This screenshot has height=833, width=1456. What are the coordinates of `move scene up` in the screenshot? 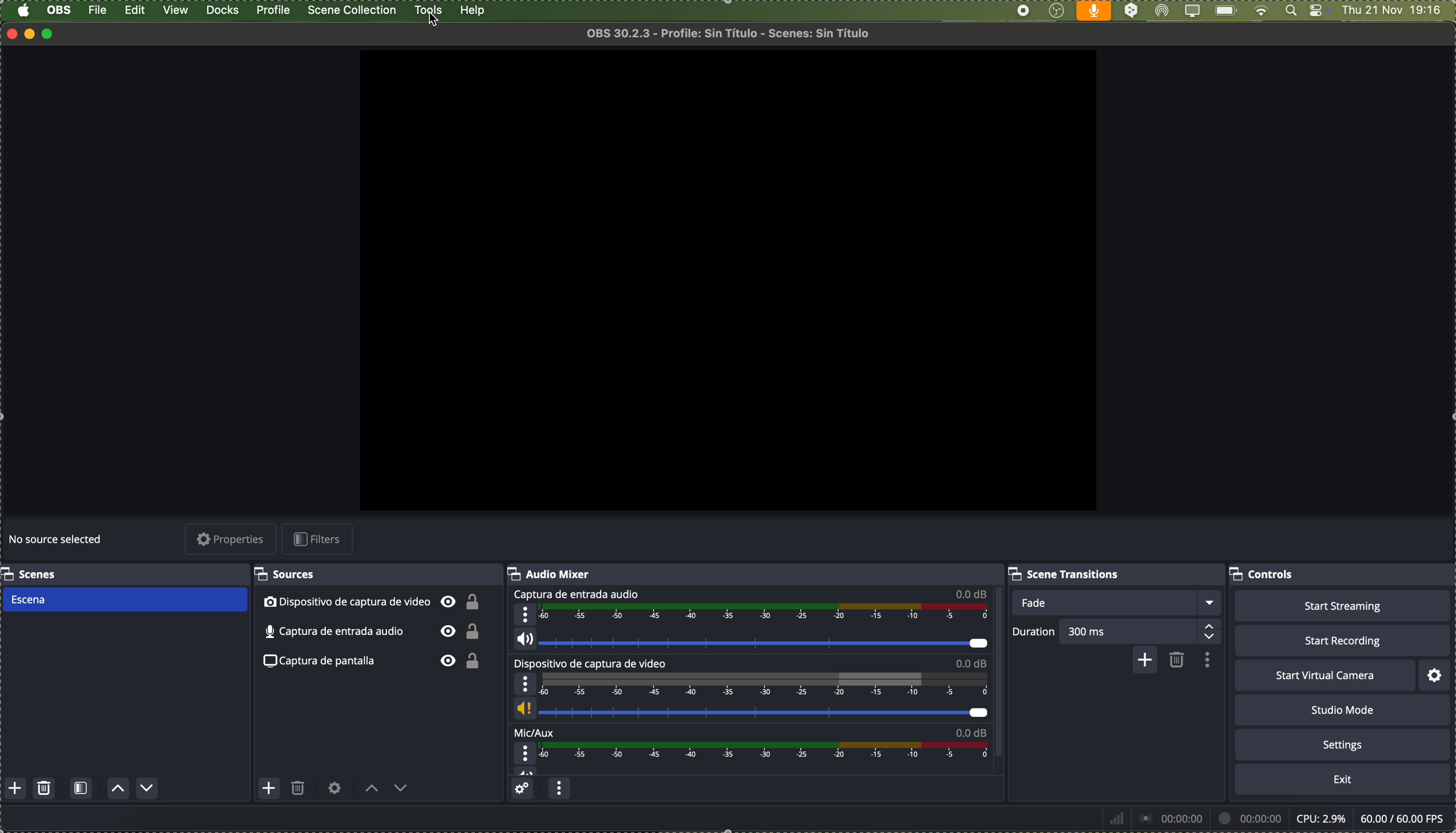 It's located at (119, 790).